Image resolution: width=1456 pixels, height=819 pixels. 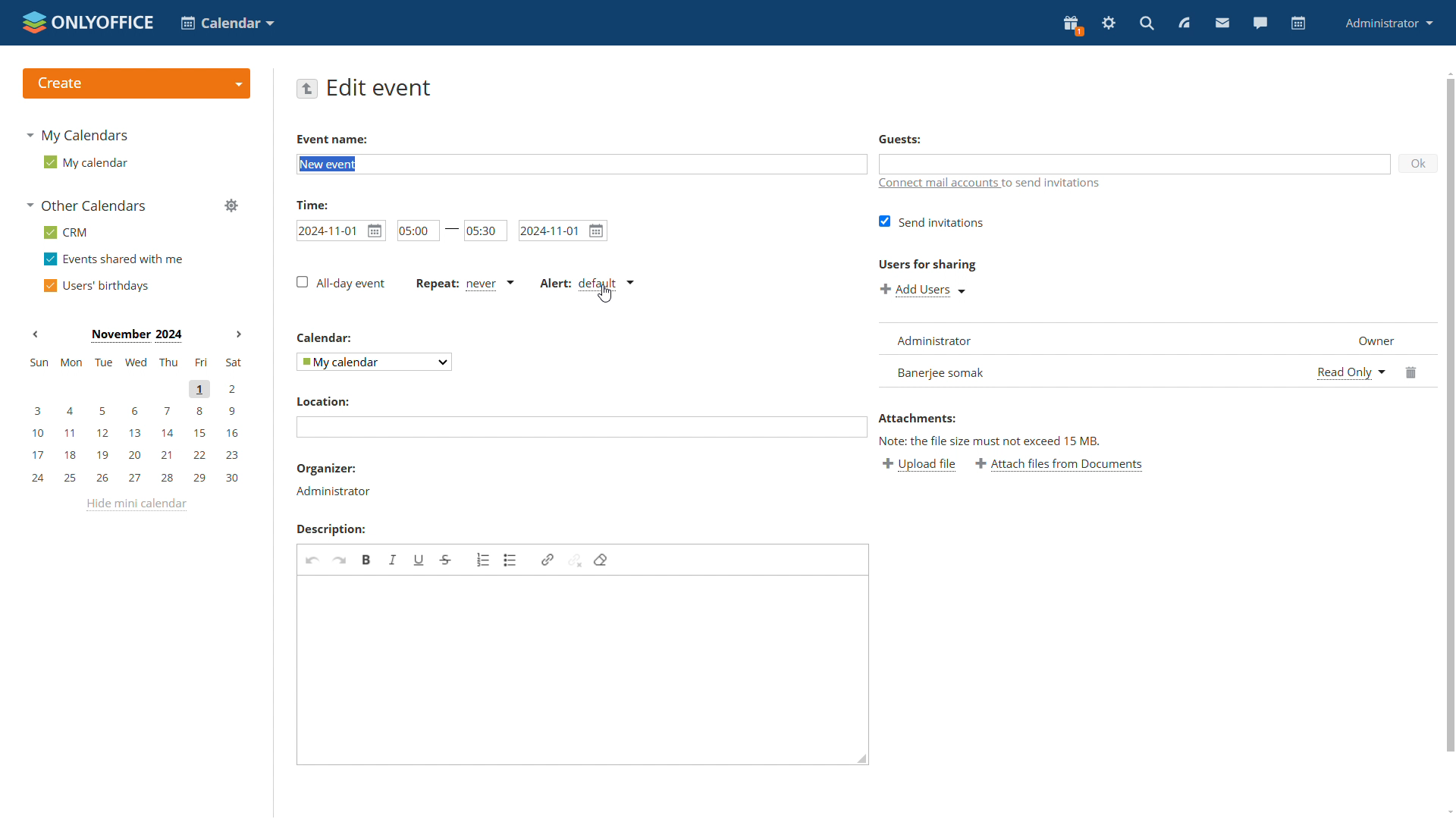 I want to click on link, so click(x=547, y=560).